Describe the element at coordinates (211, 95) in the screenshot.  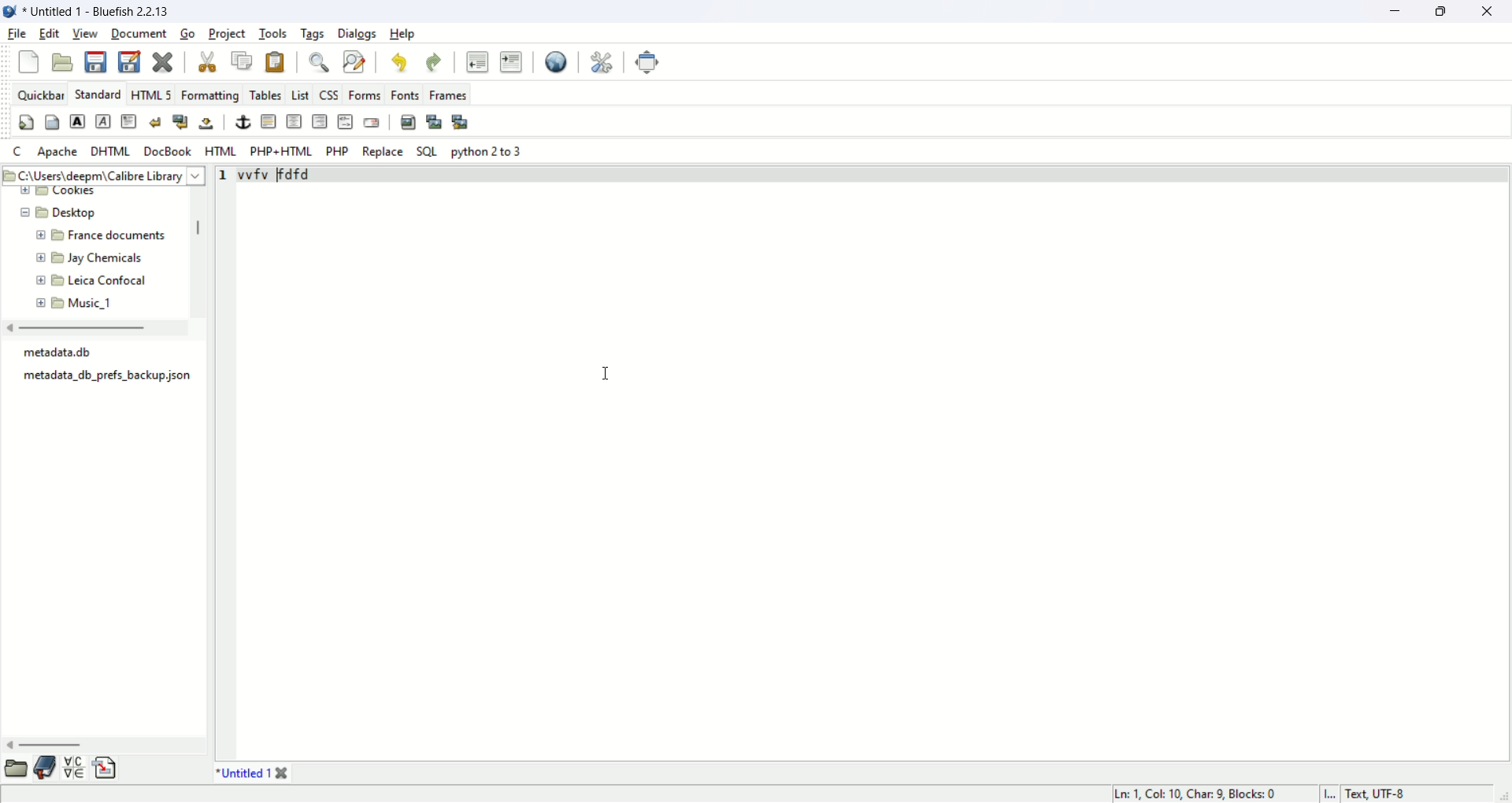
I see `formatting` at that location.